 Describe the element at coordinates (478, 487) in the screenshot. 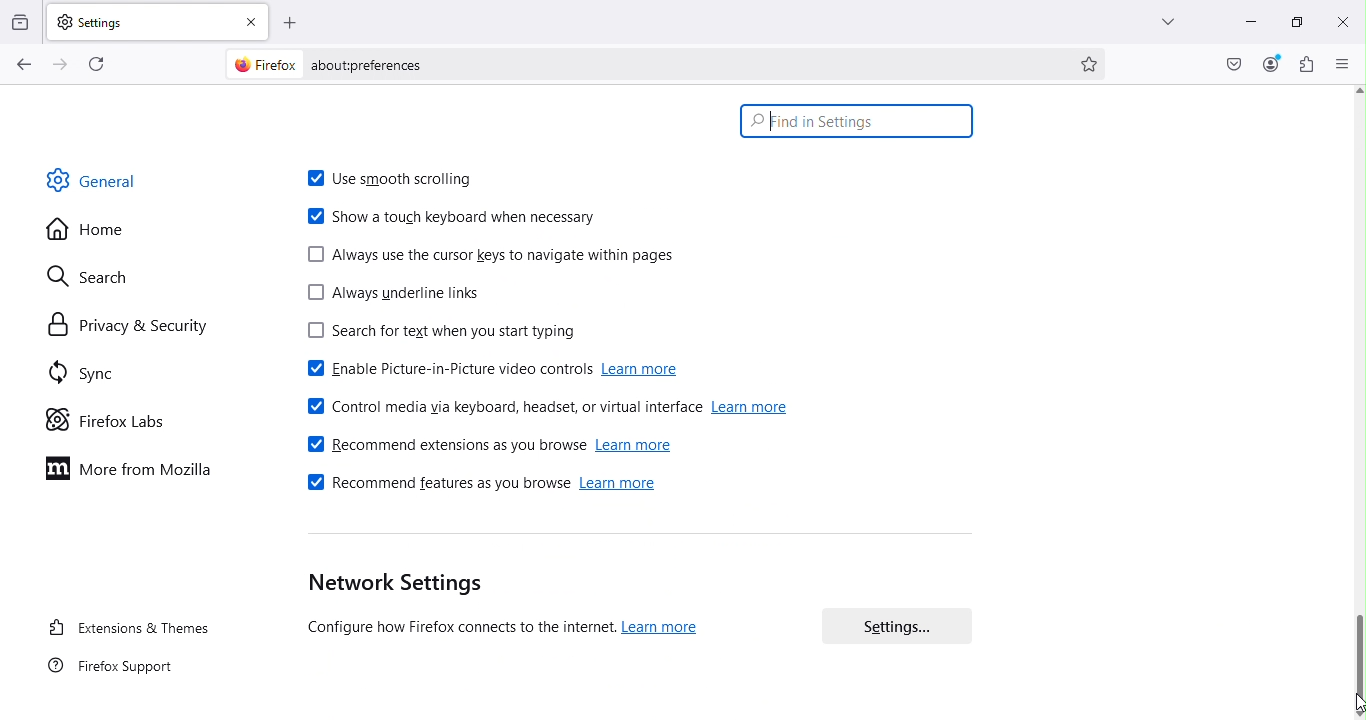

I see `Recommended features as you browse` at that location.